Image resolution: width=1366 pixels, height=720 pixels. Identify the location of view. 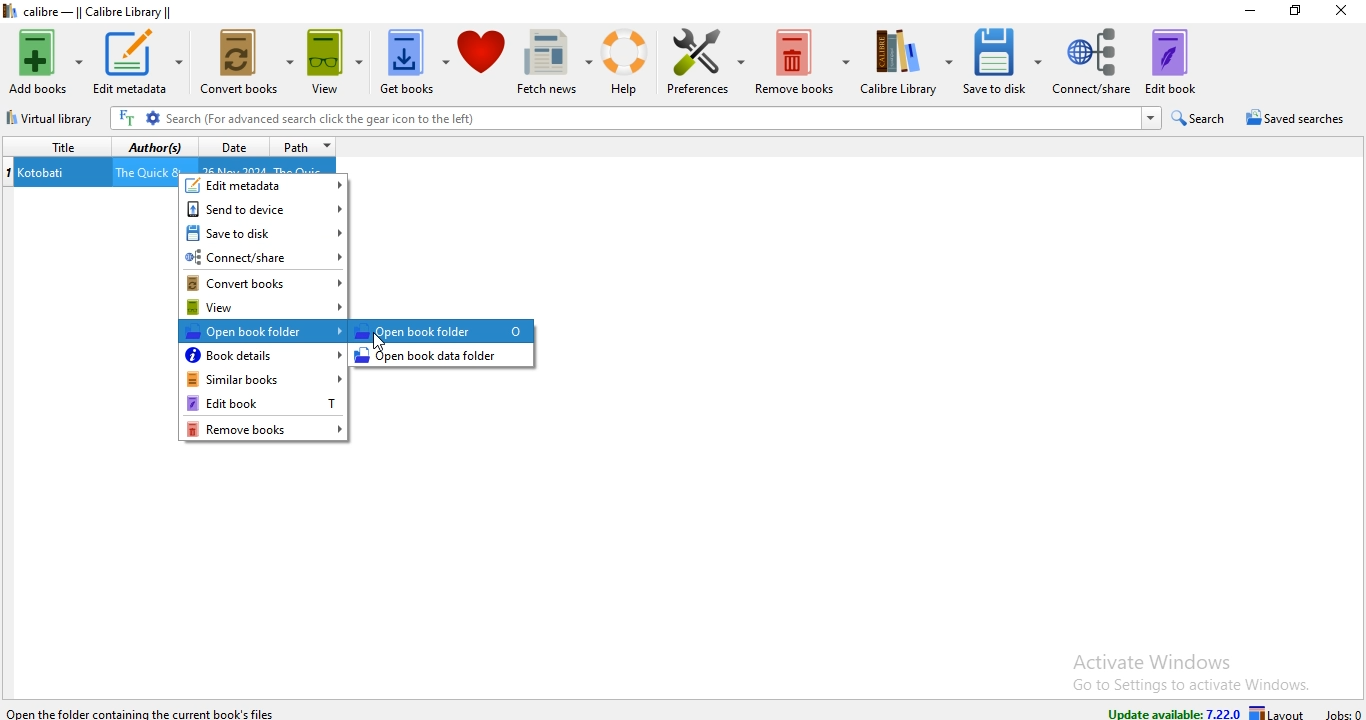
(267, 307).